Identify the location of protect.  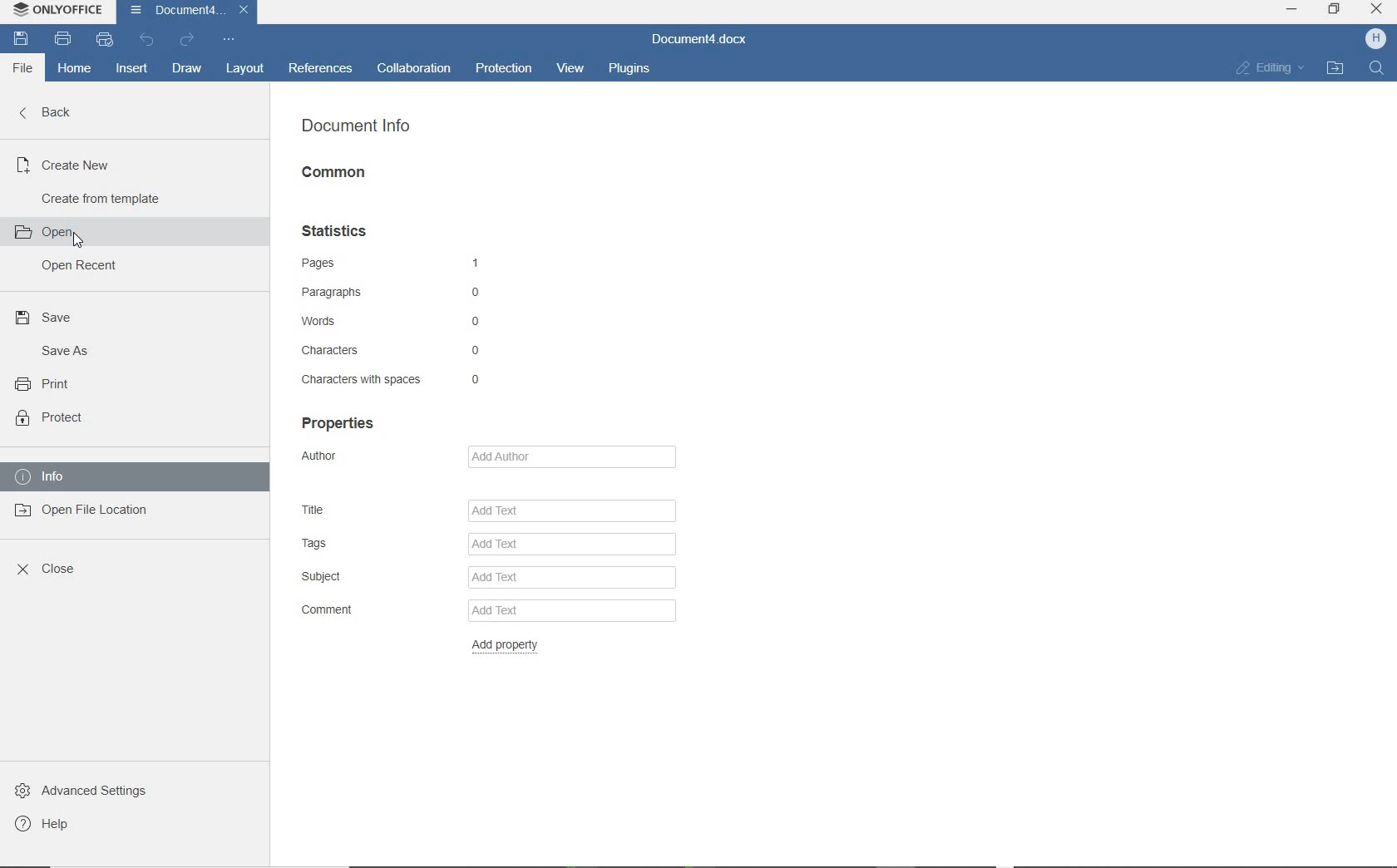
(52, 417).